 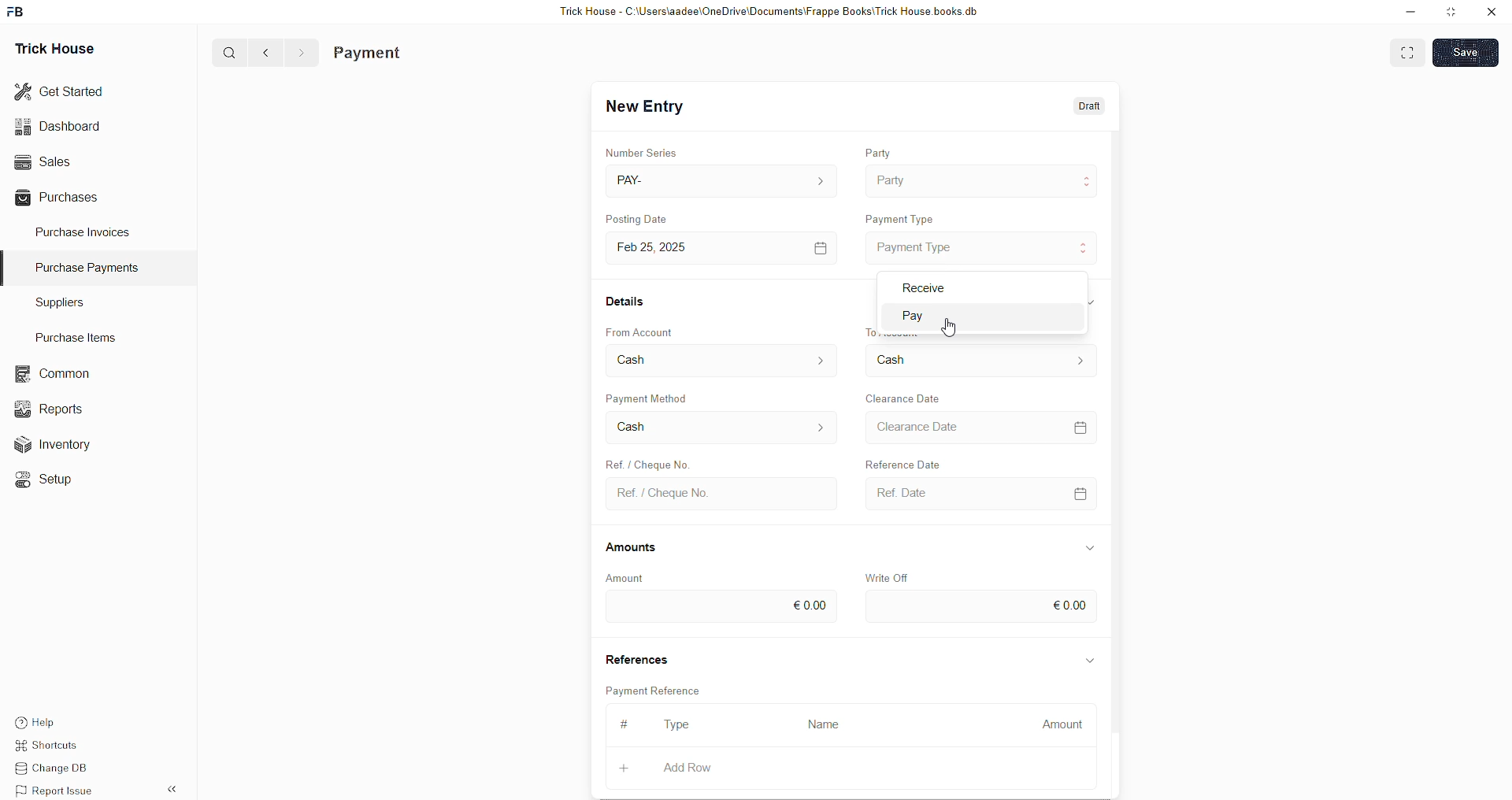 What do you see at coordinates (655, 397) in the screenshot?
I see `Payment Method` at bounding box center [655, 397].